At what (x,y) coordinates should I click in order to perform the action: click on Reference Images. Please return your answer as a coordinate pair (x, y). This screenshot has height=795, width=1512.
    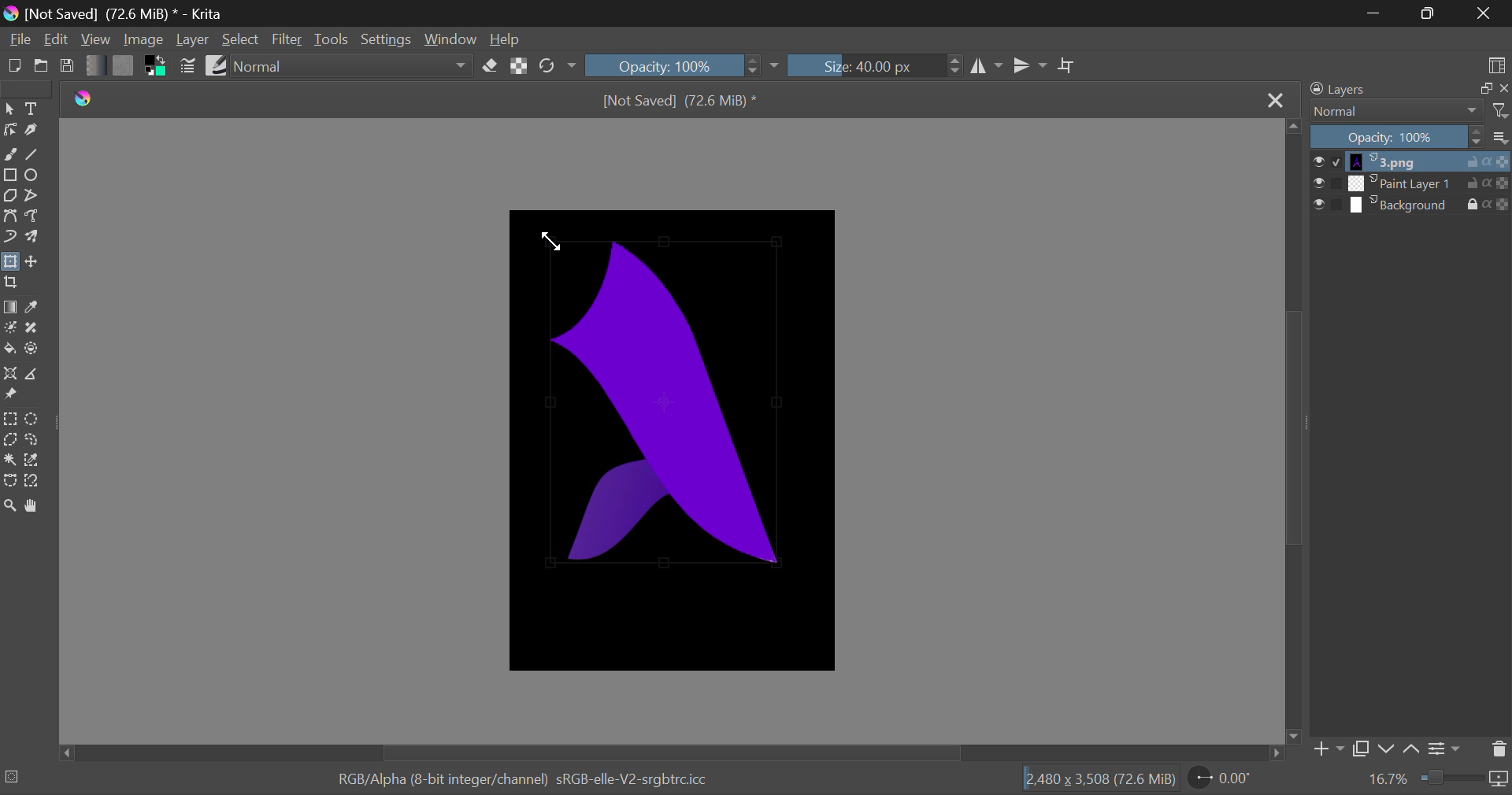
    Looking at the image, I should click on (9, 395).